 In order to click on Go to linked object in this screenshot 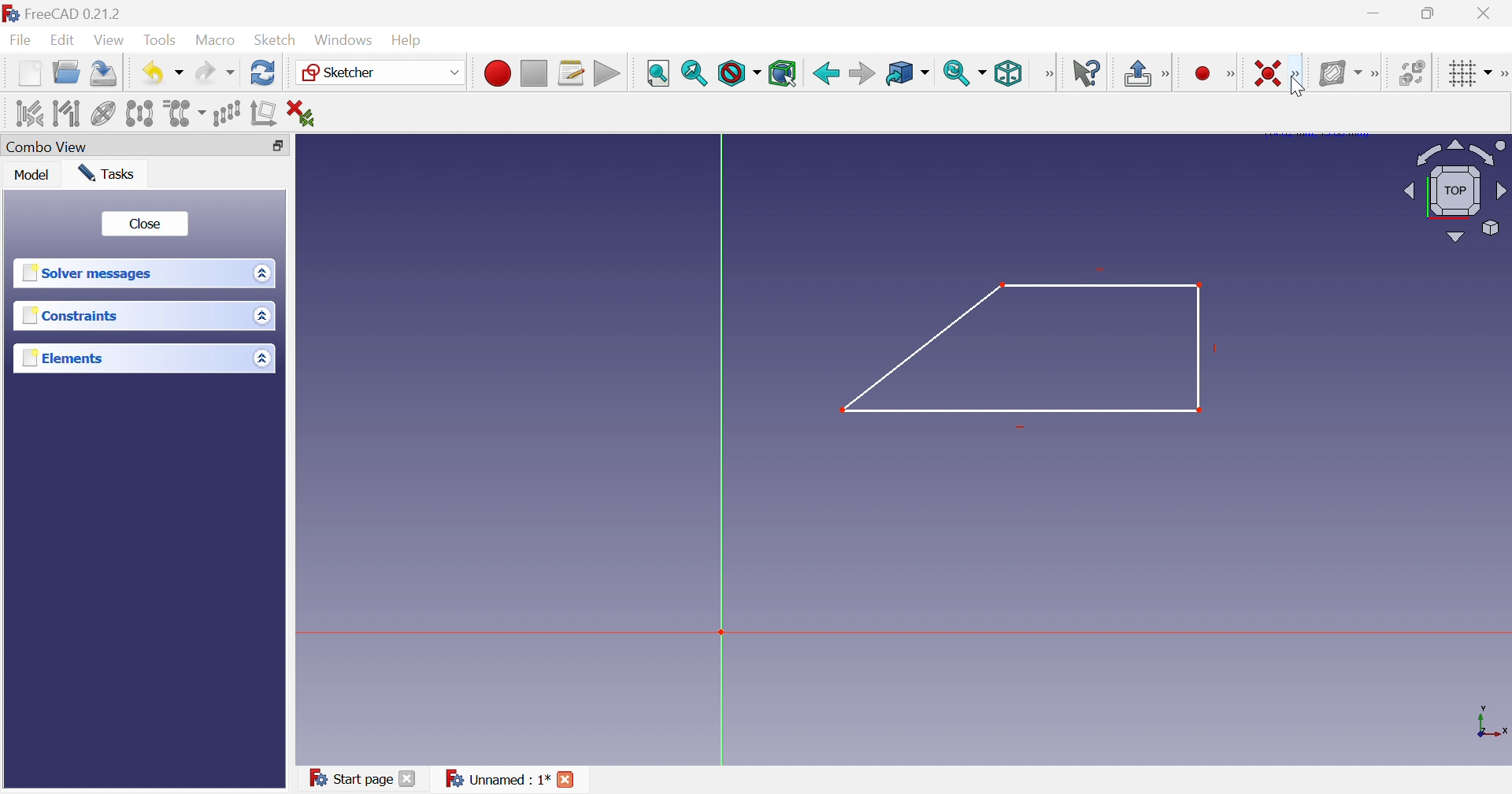, I will do `click(899, 72)`.